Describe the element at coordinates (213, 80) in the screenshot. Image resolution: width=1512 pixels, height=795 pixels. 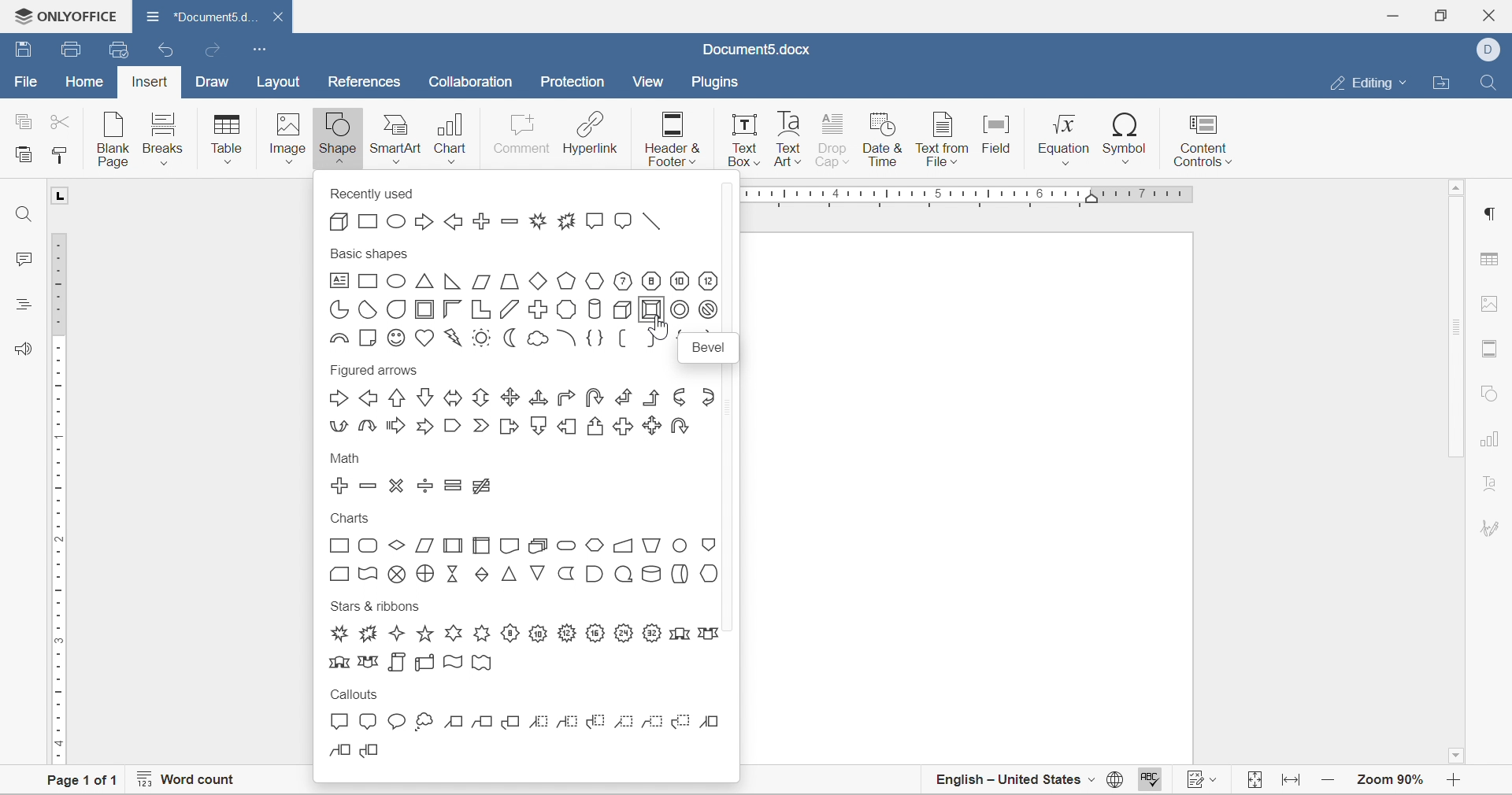
I see `draw` at that location.